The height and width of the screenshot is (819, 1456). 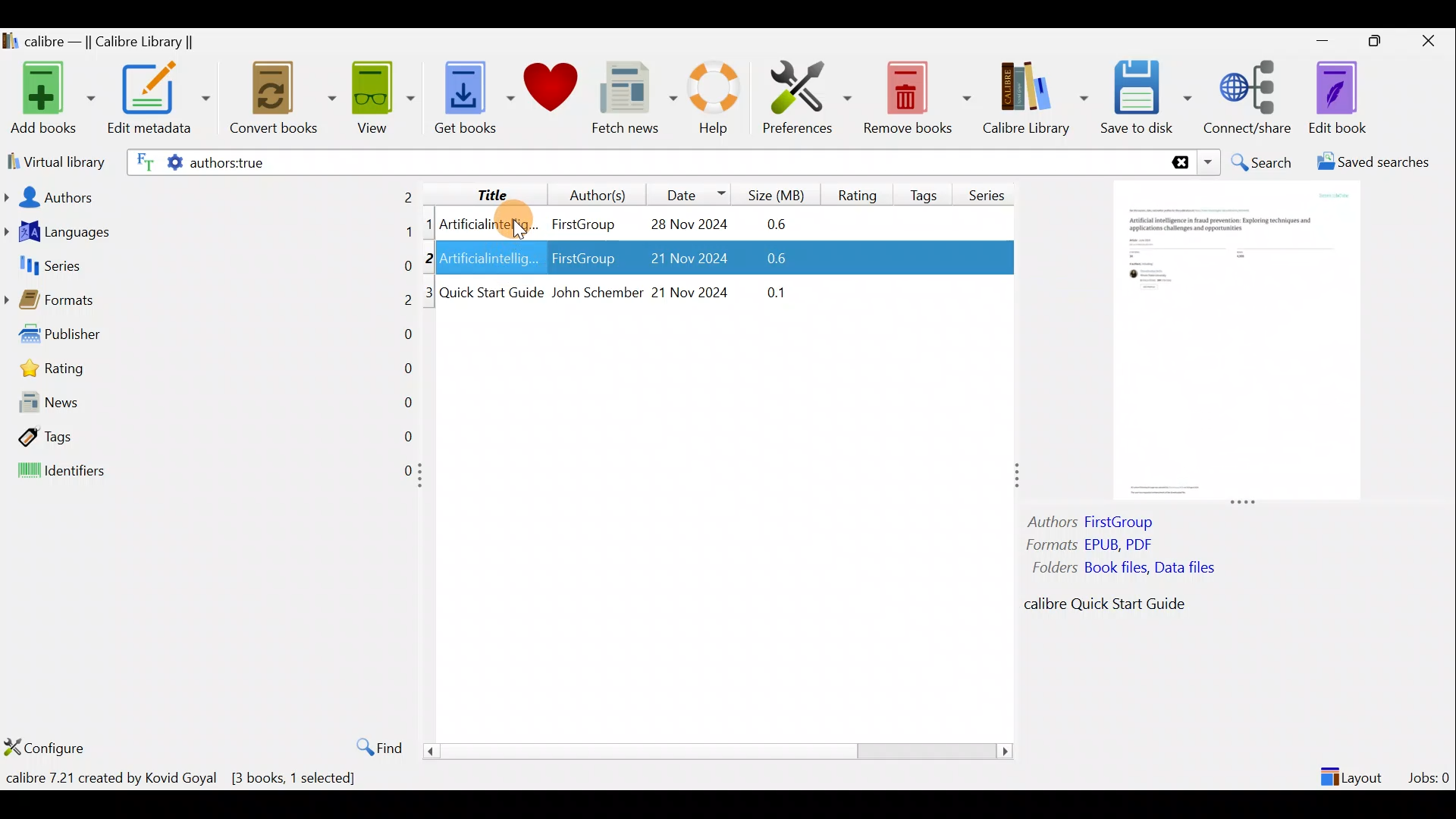 What do you see at coordinates (50, 99) in the screenshot?
I see `Add books` at bounding box center [50, 99].